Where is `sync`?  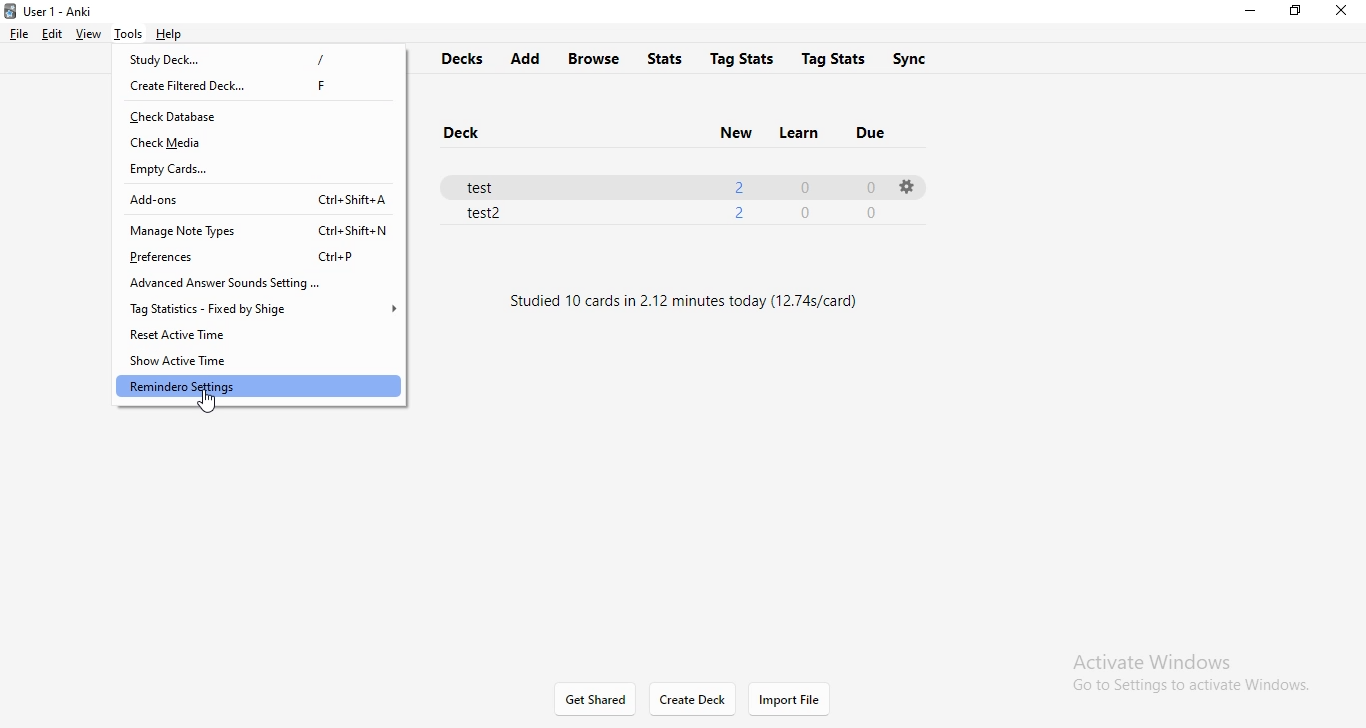
sync is located at coordinates (923, 59).